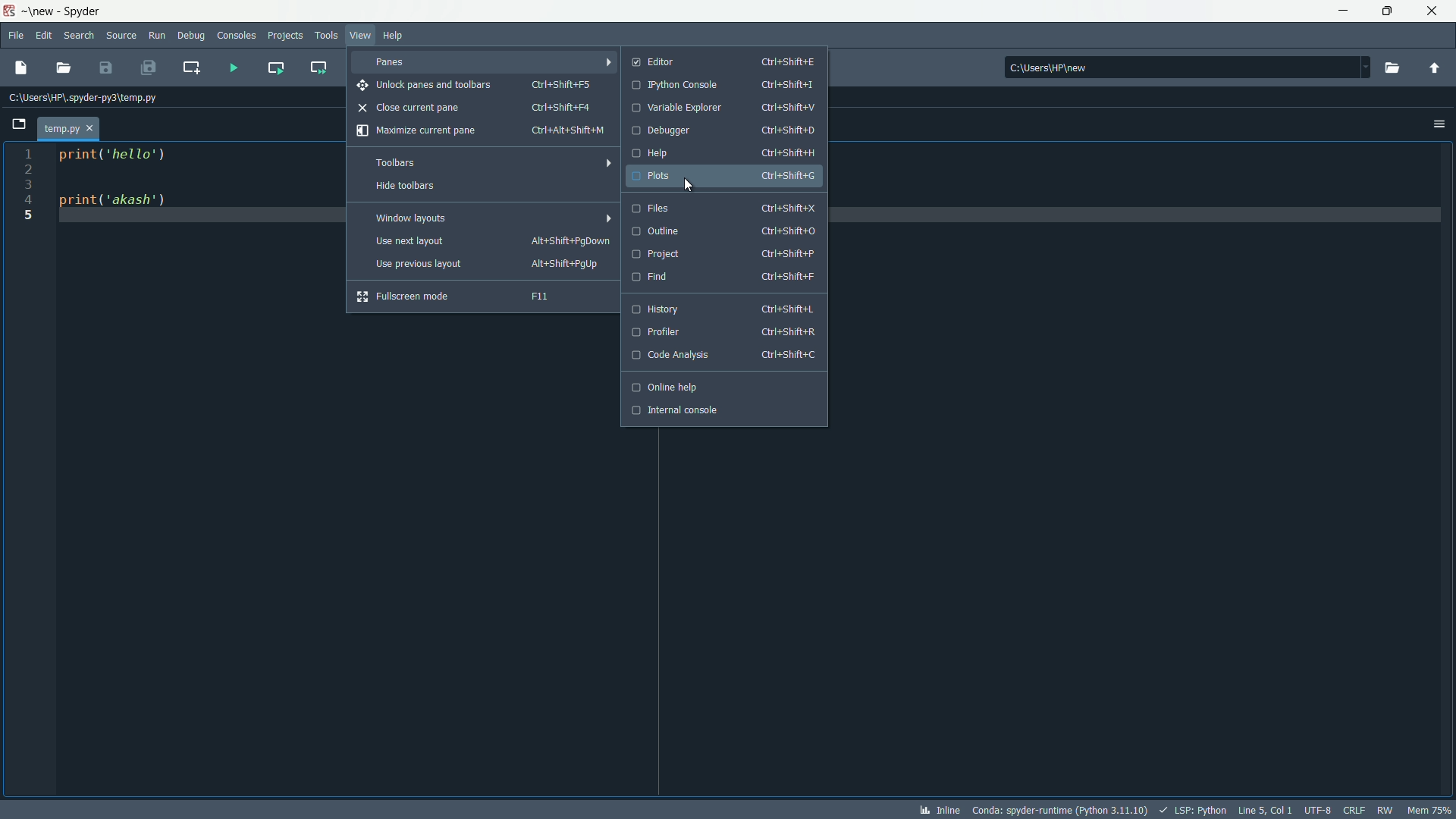  I want to click on editor, so click(725, 61).